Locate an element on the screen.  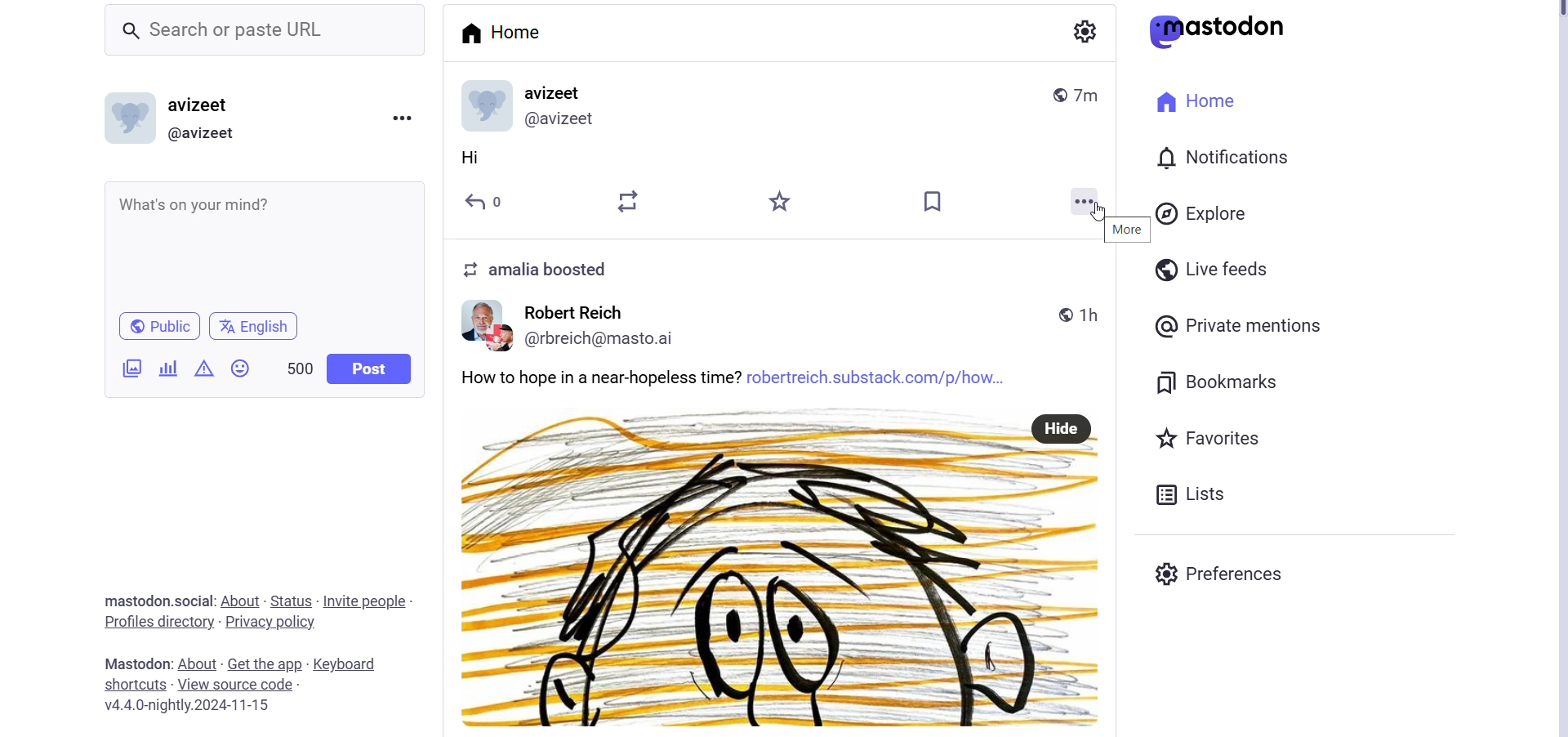
Posted Time is located at coordinates (1082, 92).